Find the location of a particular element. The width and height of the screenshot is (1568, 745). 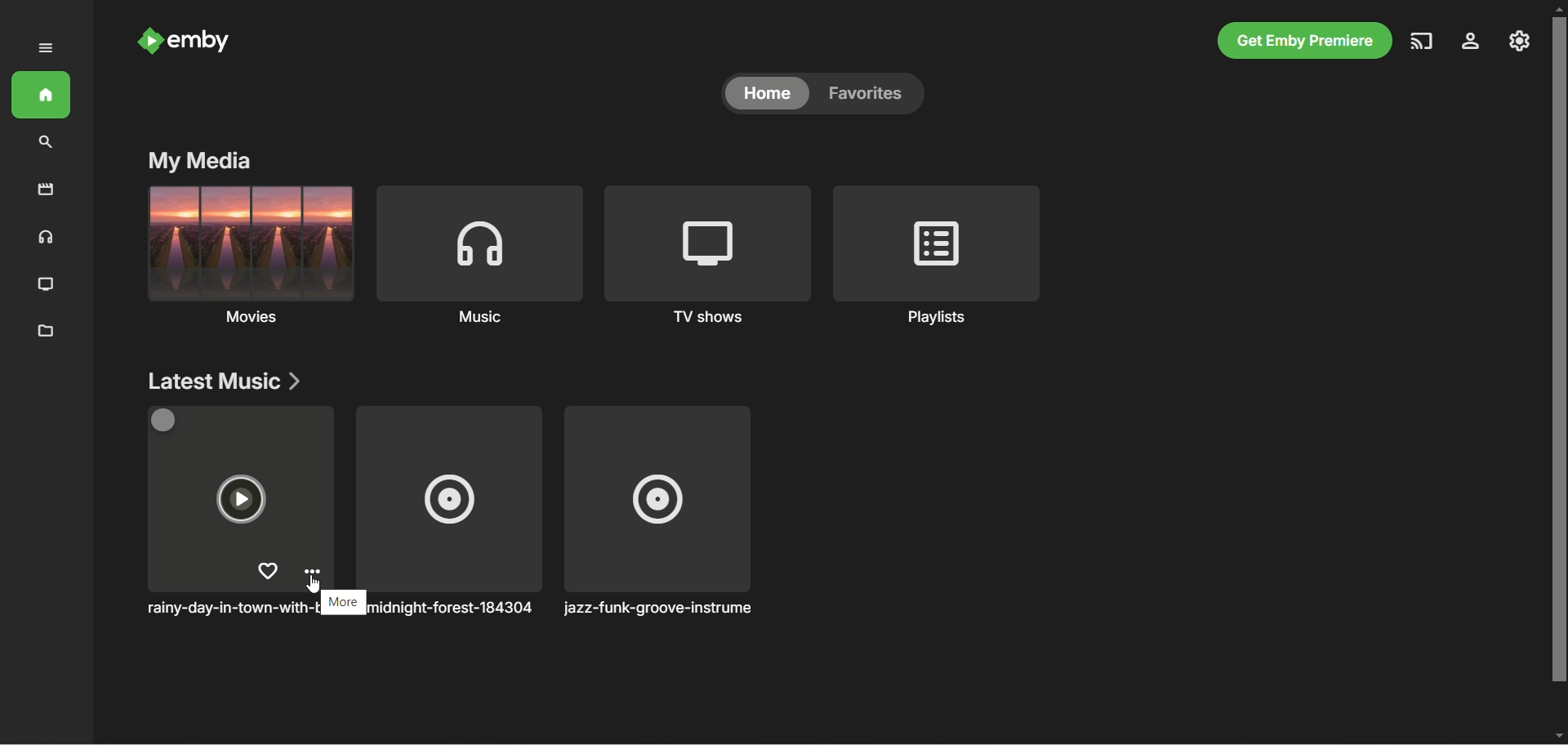

music album is located at coordinates (658, 511).